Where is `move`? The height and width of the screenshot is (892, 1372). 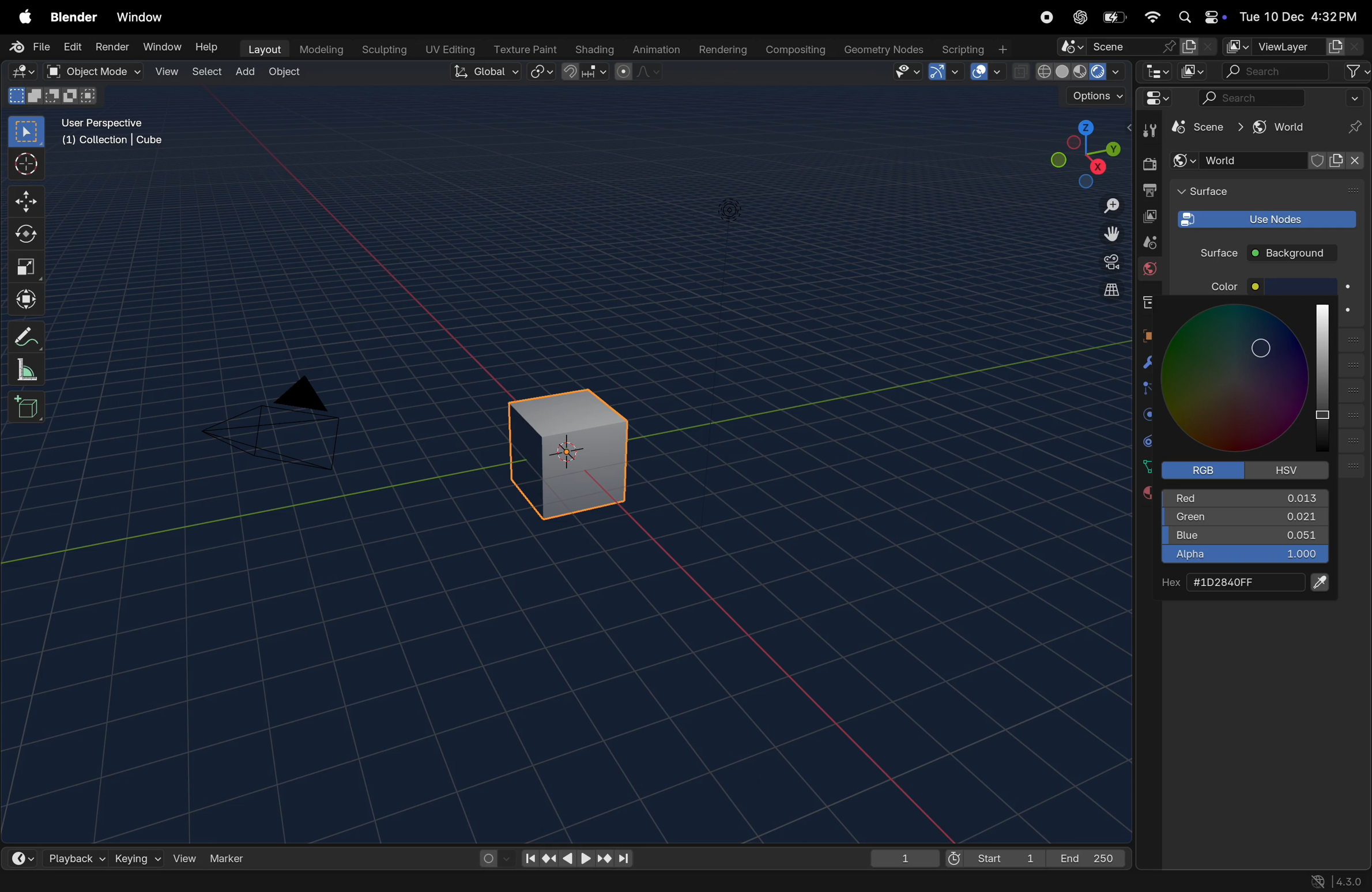 move is located at coordinates (28, 200).